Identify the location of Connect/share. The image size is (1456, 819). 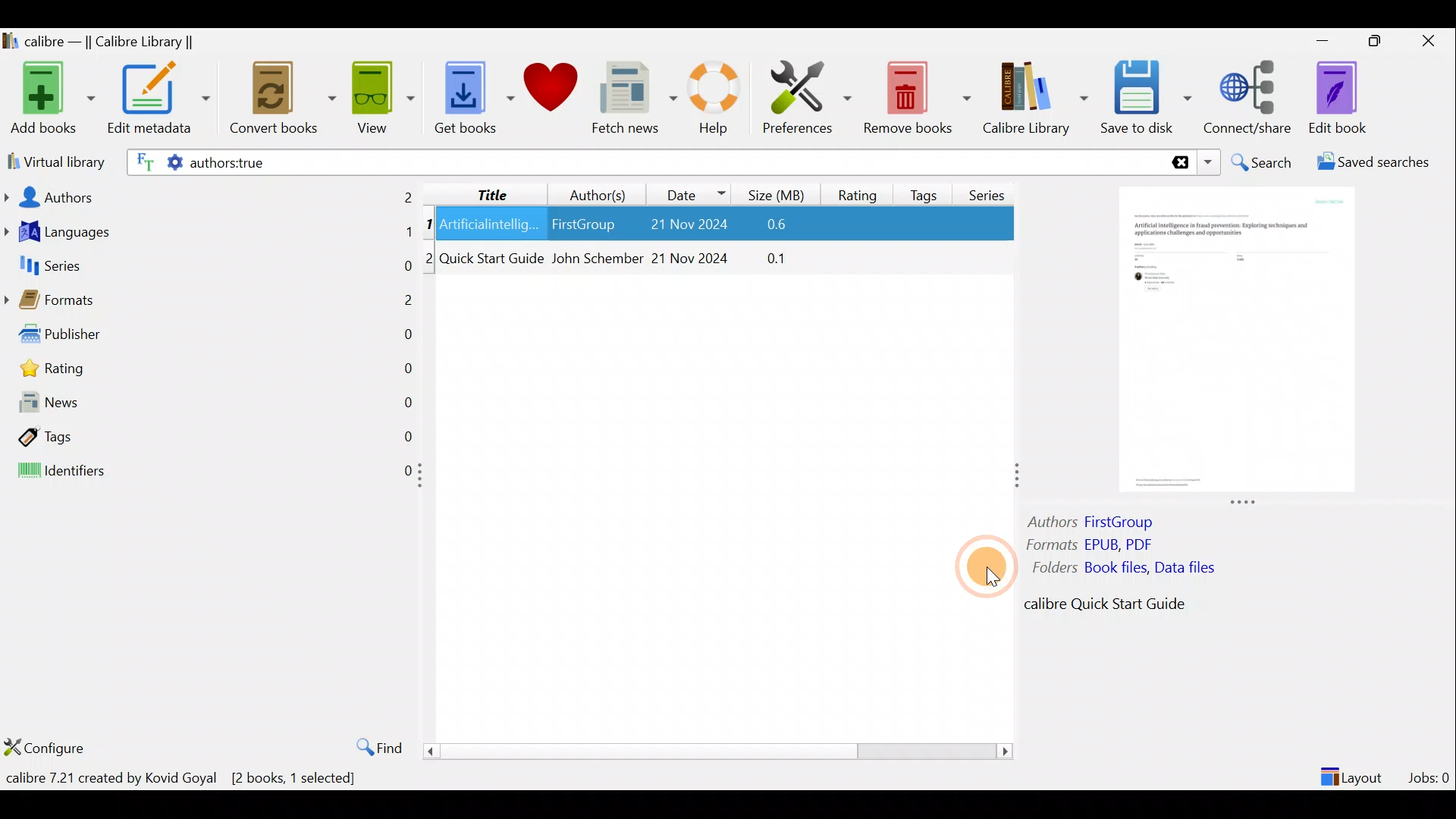
(1250, 95).